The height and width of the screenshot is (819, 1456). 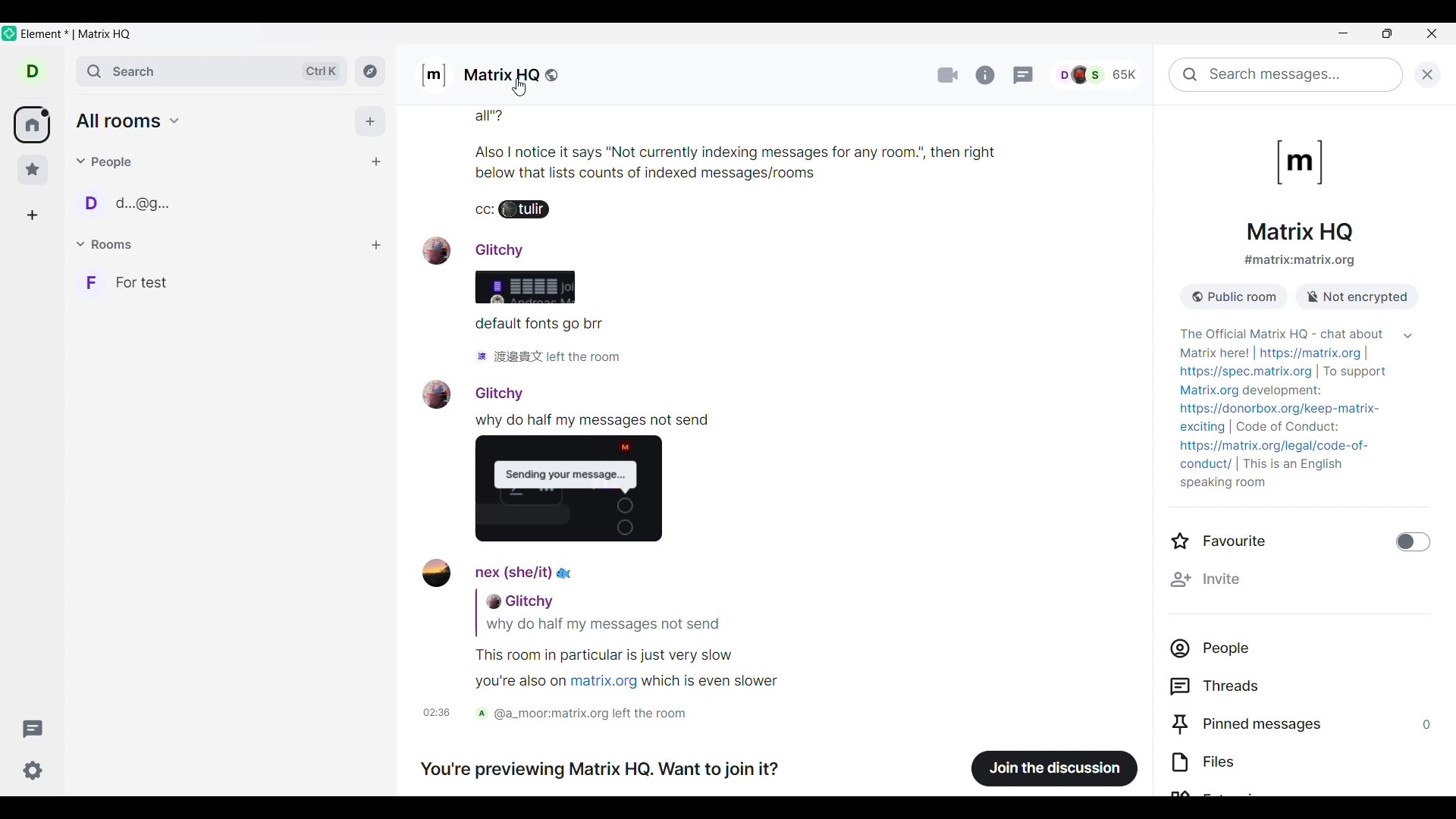 What do you see at coordinates (522, 288) in the screenshot?
I see `image of default font` at bounding box center [522, 288].